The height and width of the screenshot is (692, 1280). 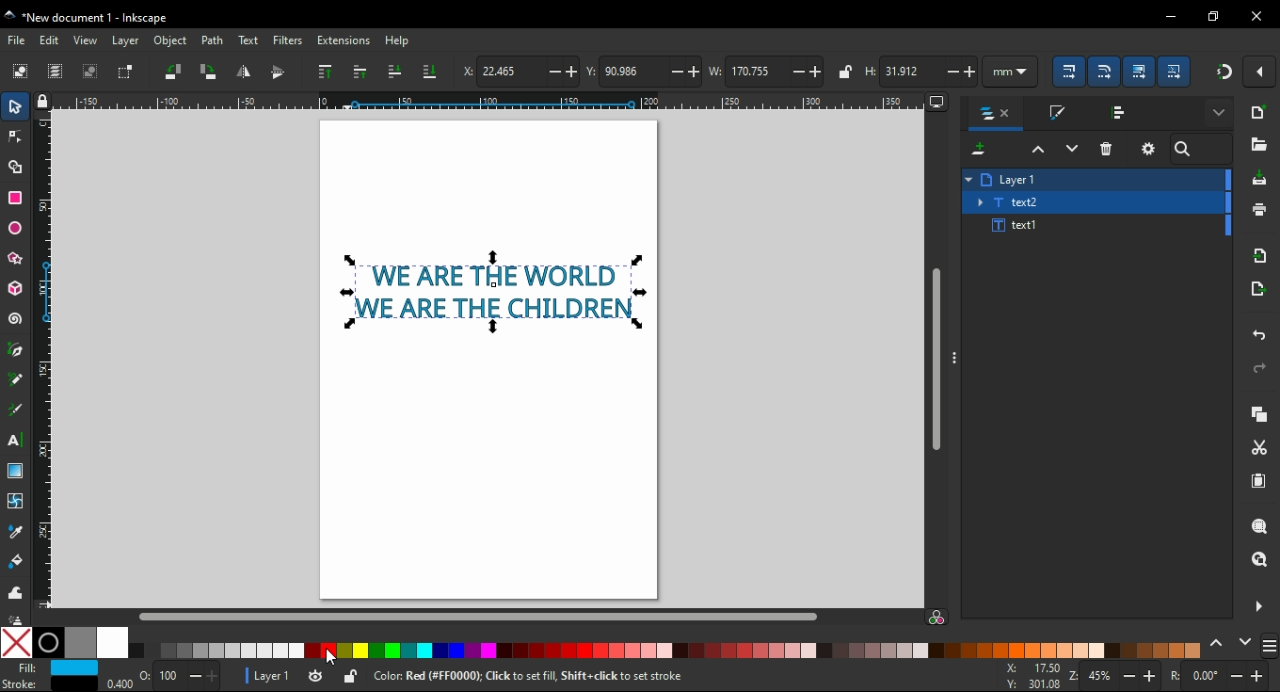 What do you see at coordinates (17, 563) in the screenshot?
I see `paint bucket tool` at bounding box center [17, 563].